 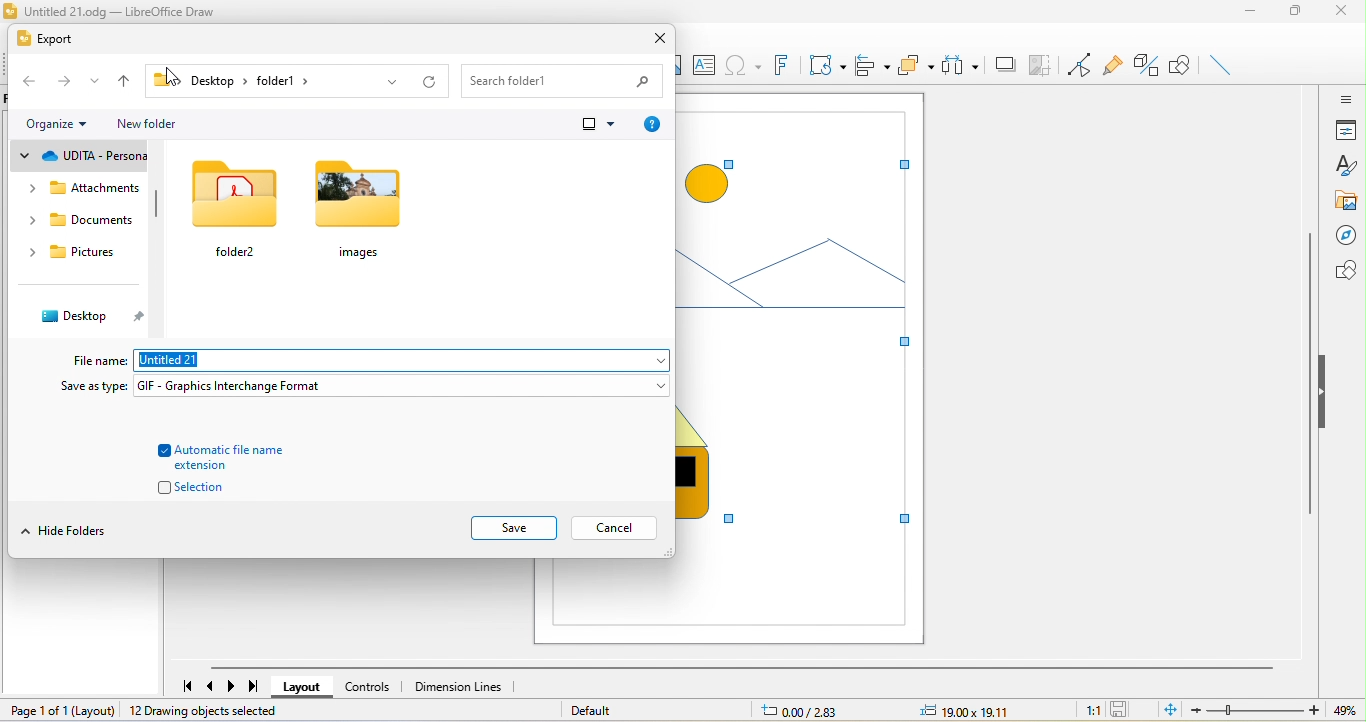 What do you see at coordinates (153, 124) in the screenshot?
I see `new folder` at bounding box center [153, 124].